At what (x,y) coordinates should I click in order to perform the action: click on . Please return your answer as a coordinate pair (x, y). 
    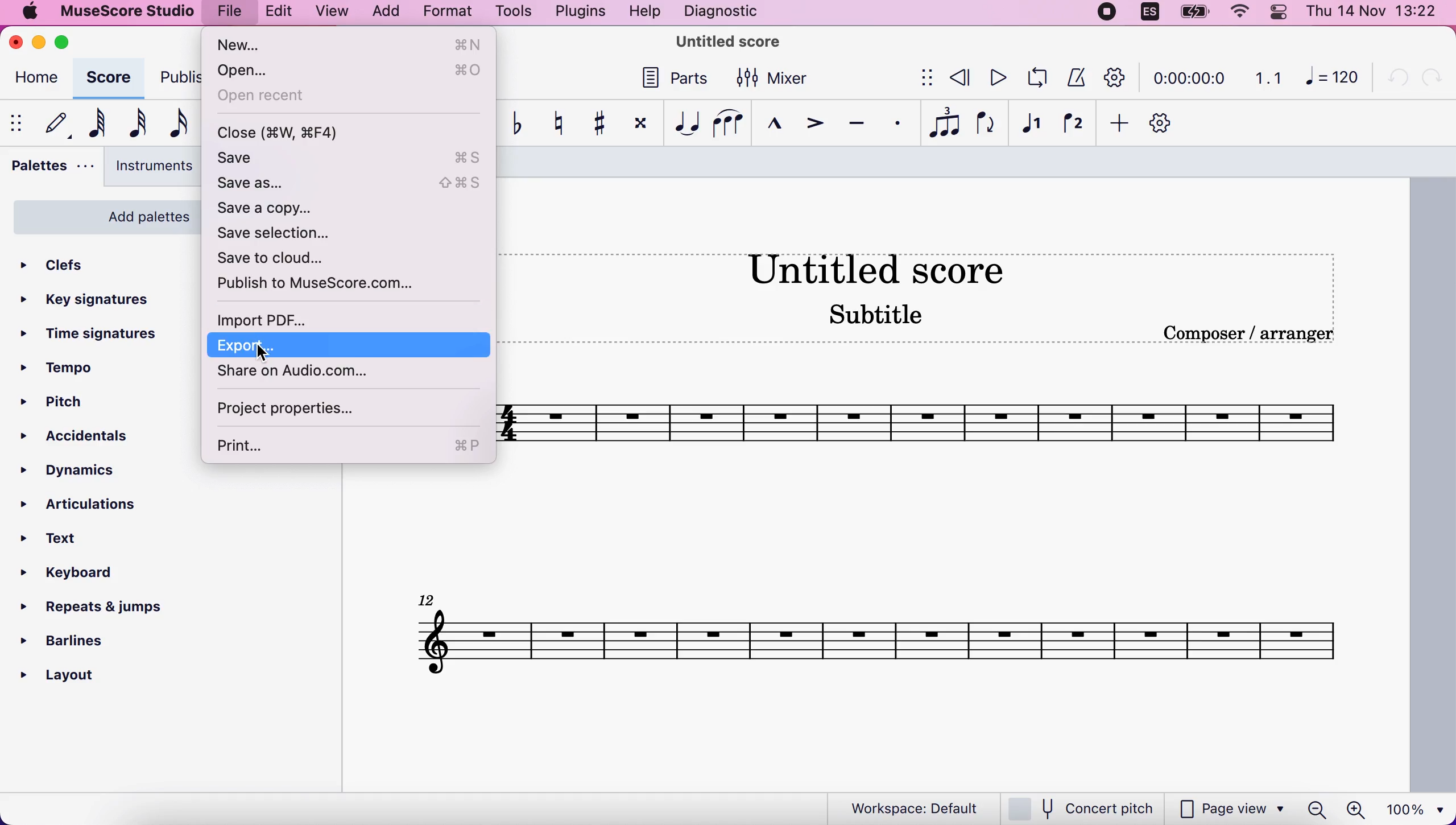
    Looking at the image, I should click on (428, 599).